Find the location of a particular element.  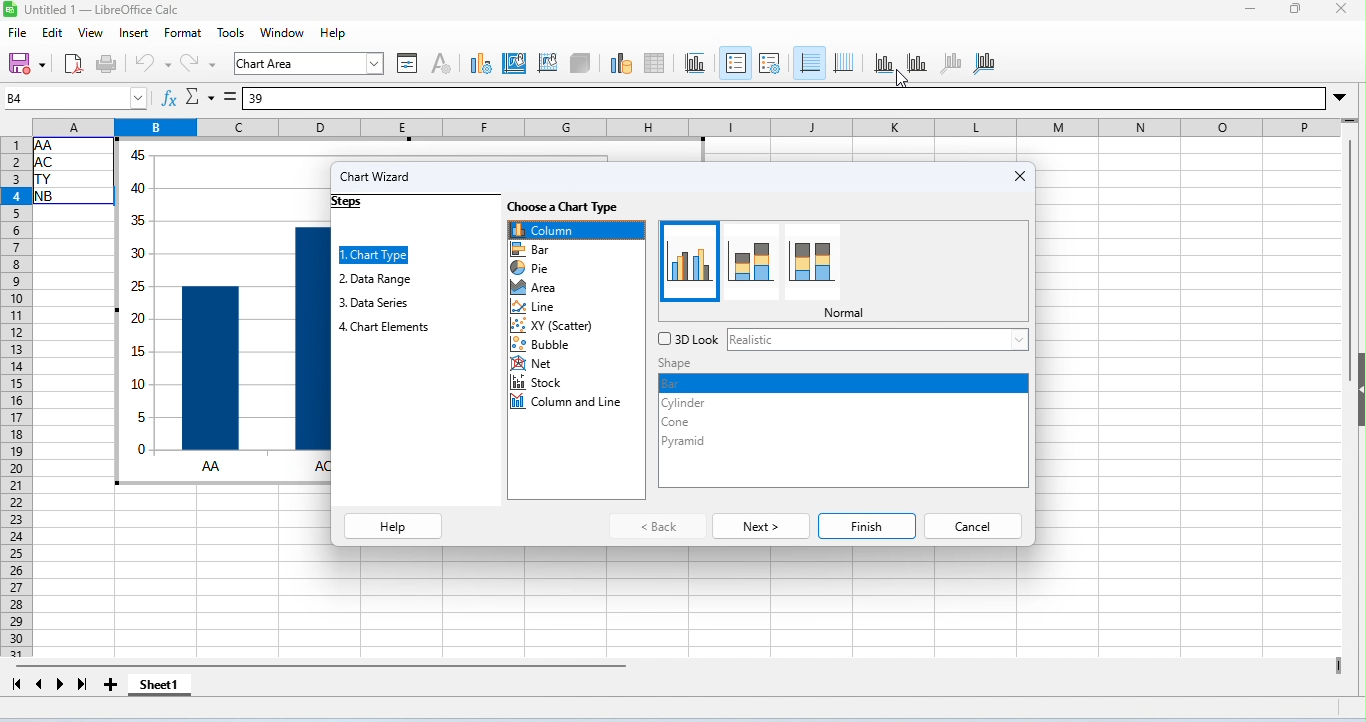

scatter is located at coordinates (558, 327).